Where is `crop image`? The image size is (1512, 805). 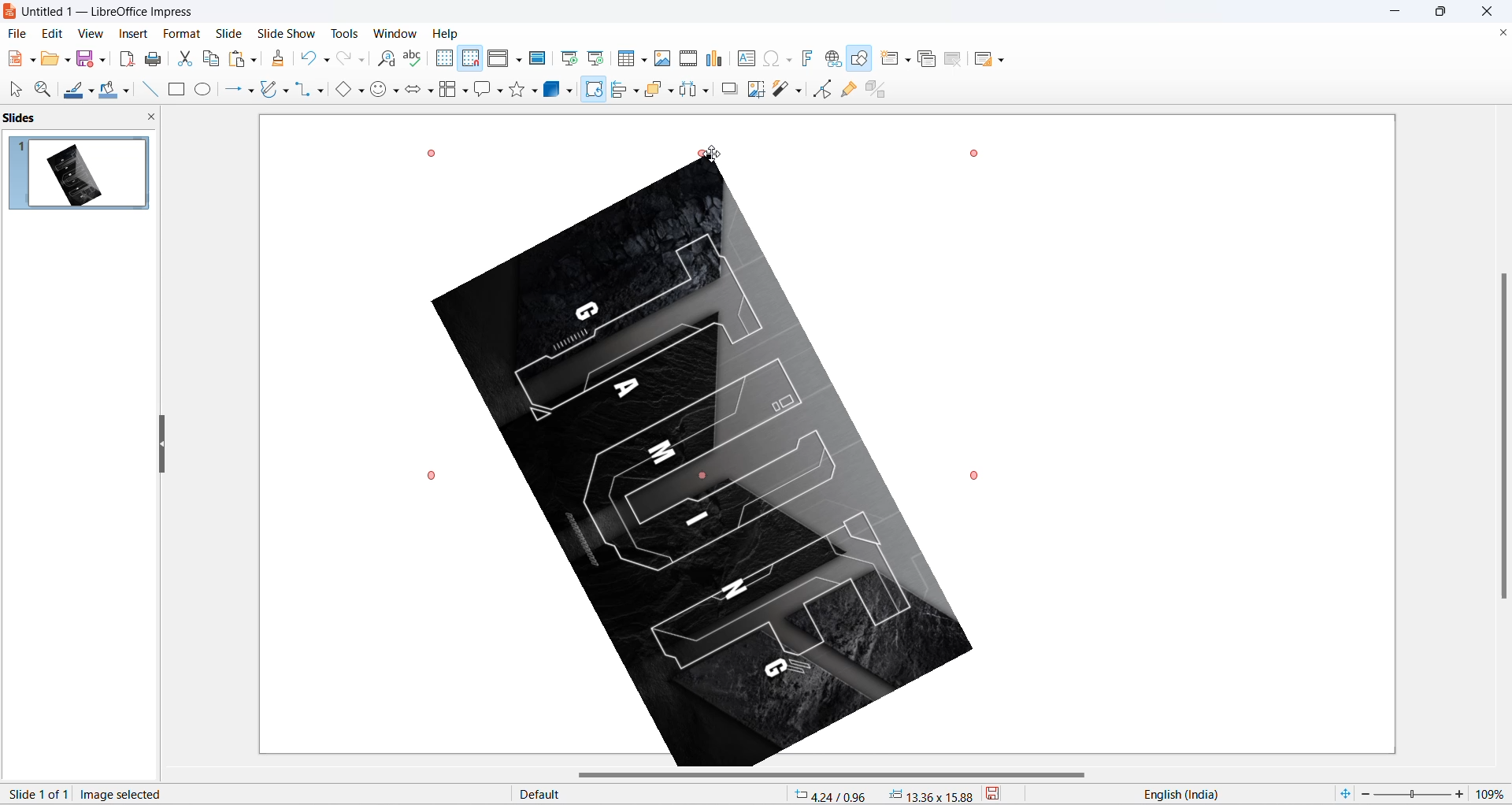
crop image is located at coordinates (754, 90).